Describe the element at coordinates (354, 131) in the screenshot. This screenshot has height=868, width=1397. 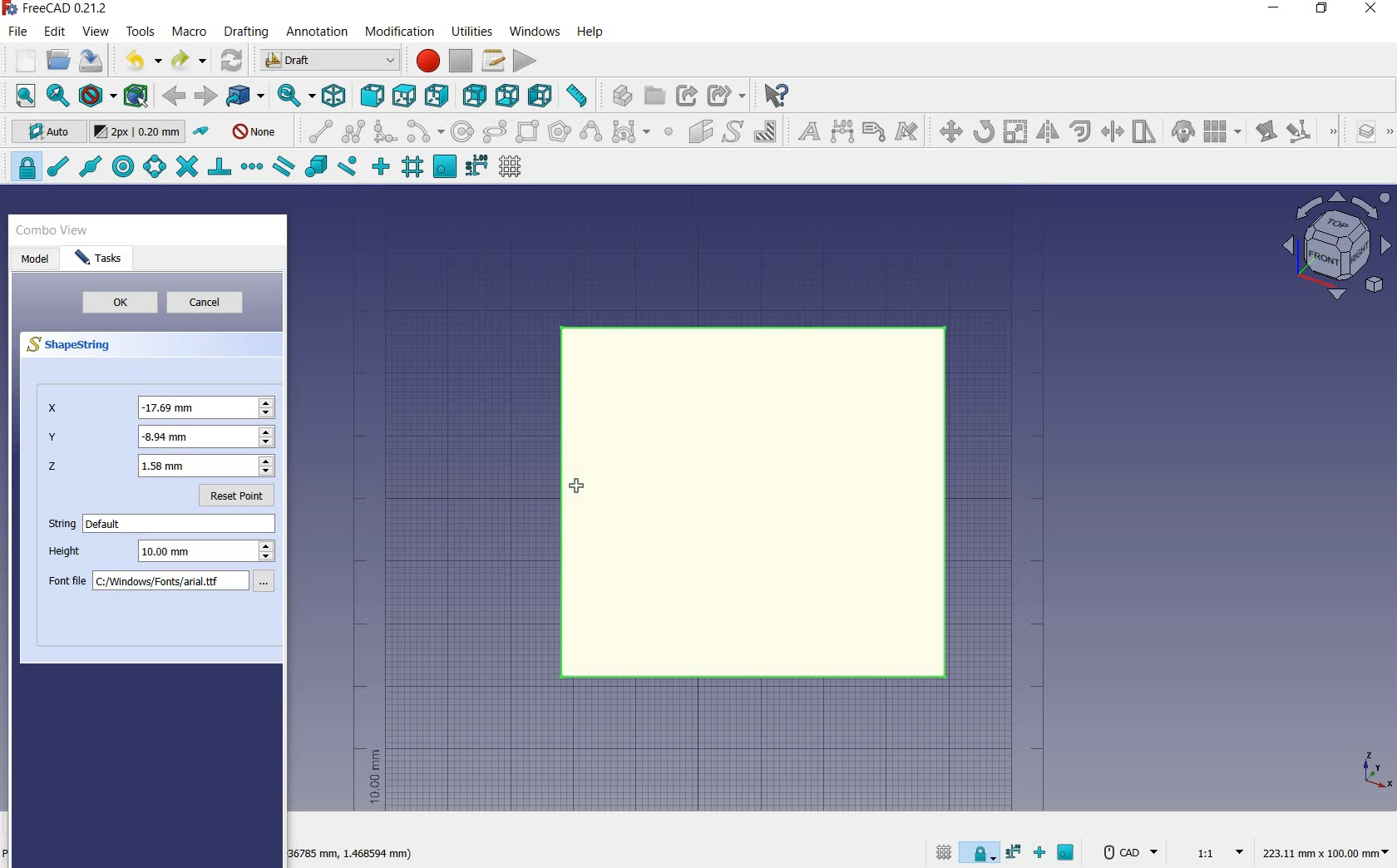
I see `polyline` at that location.